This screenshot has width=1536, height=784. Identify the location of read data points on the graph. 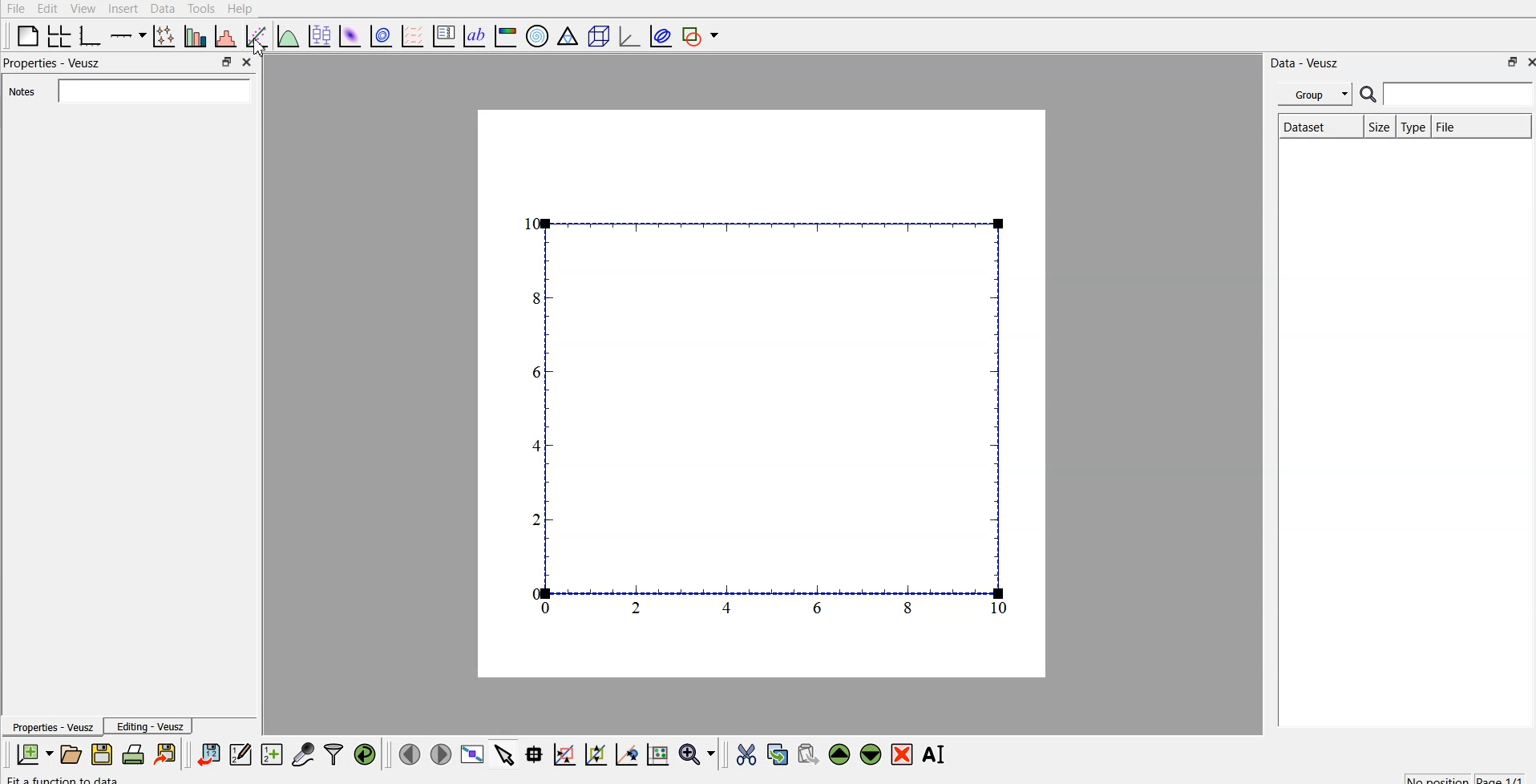
(536, 755).